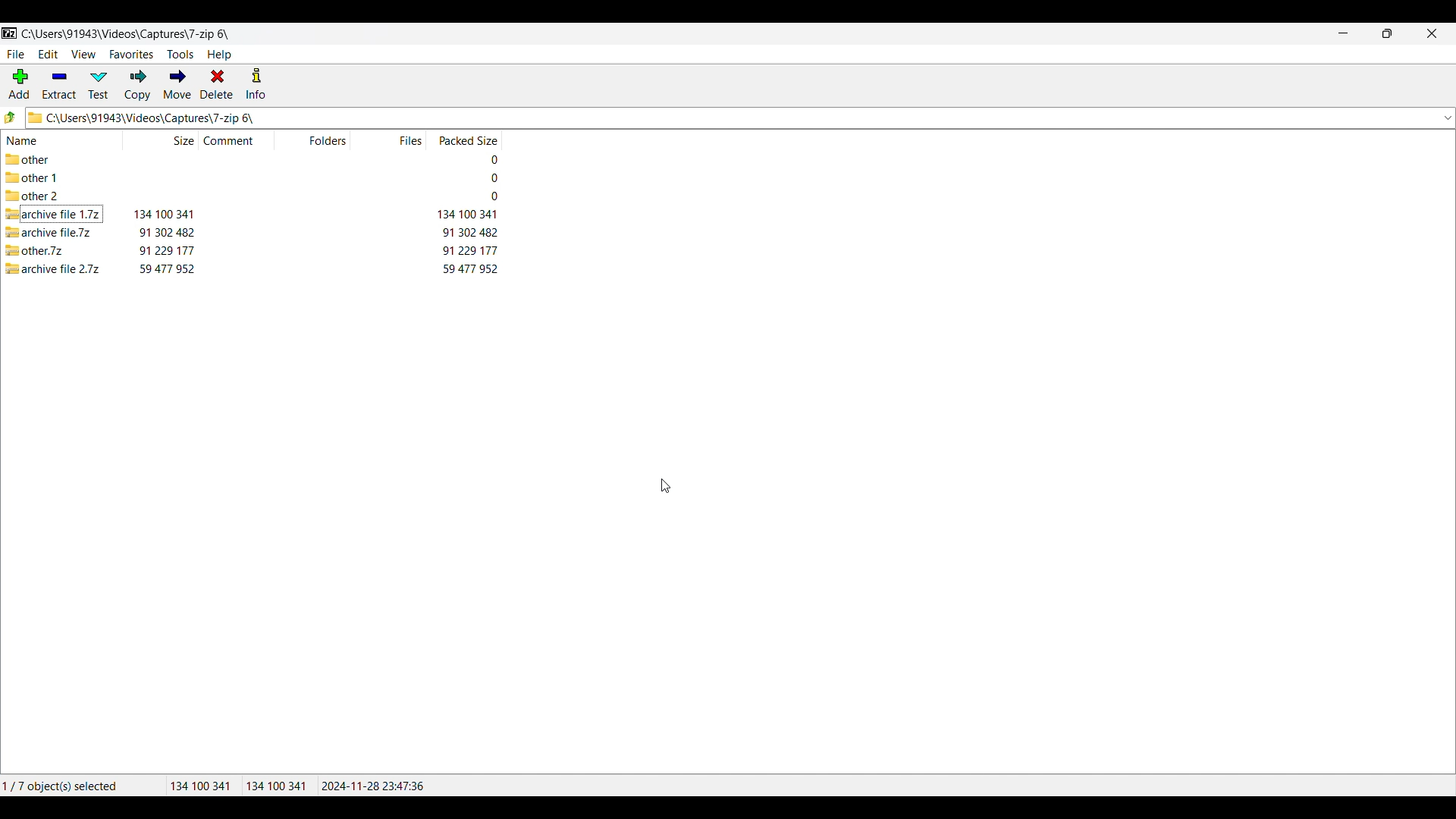 The width and height of the screenshot is (1456, 819). What do you see at coordinates (470, 232) in the screenshot?
I see `packed size` at bounding box center [470, 232].